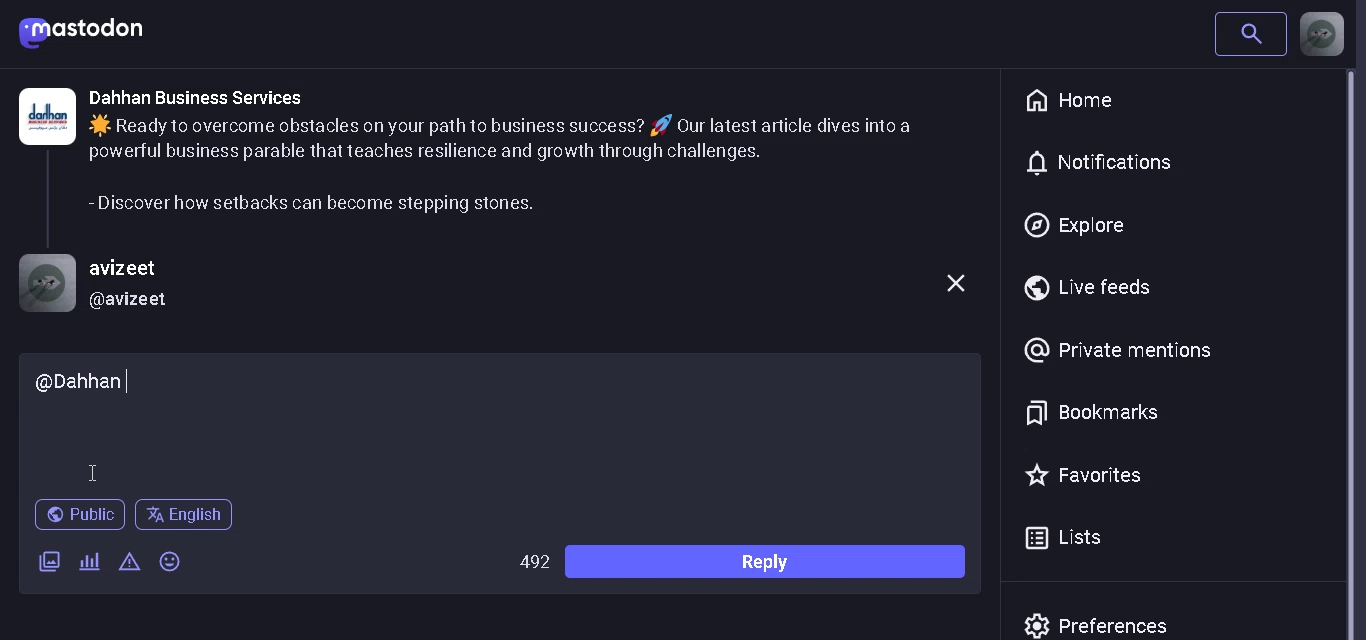  Describe the element at coordinates (89, 467) in the screenshot. I see `Cursor` at that location.